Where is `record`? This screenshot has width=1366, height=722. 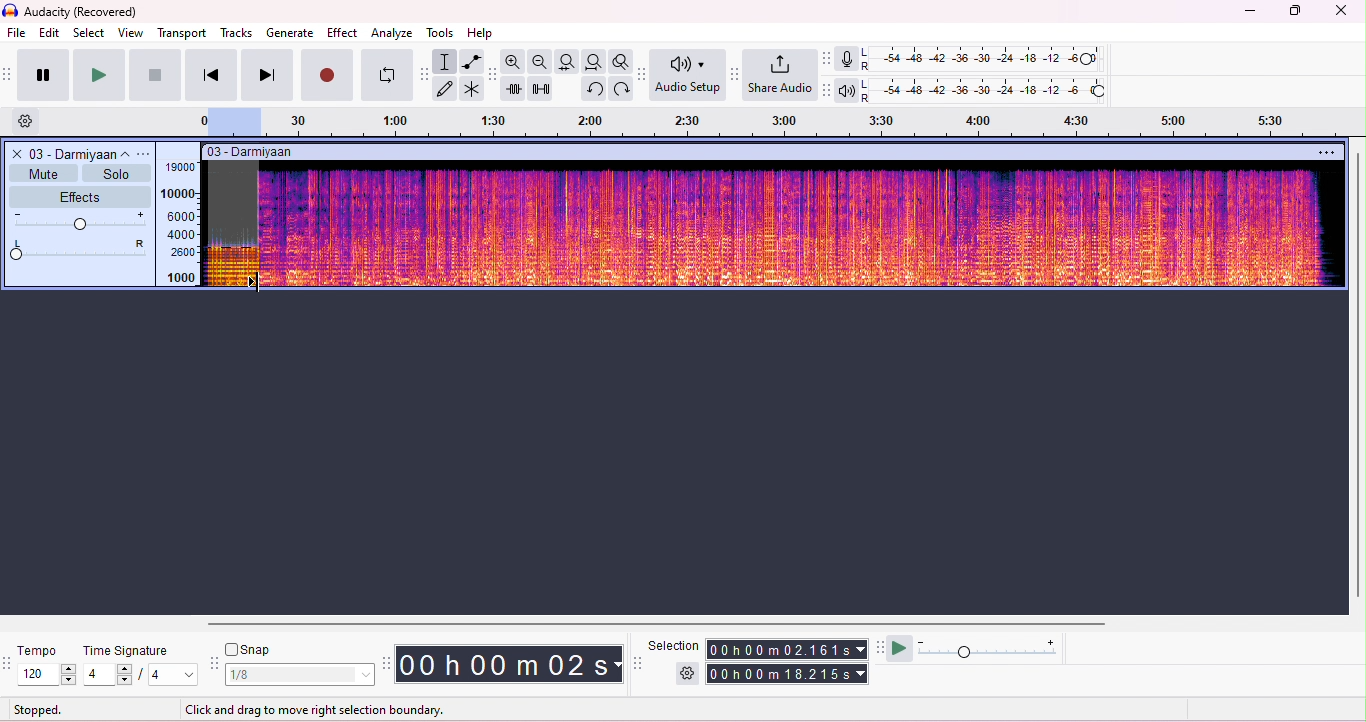 record is located at coordinates (326, 73).